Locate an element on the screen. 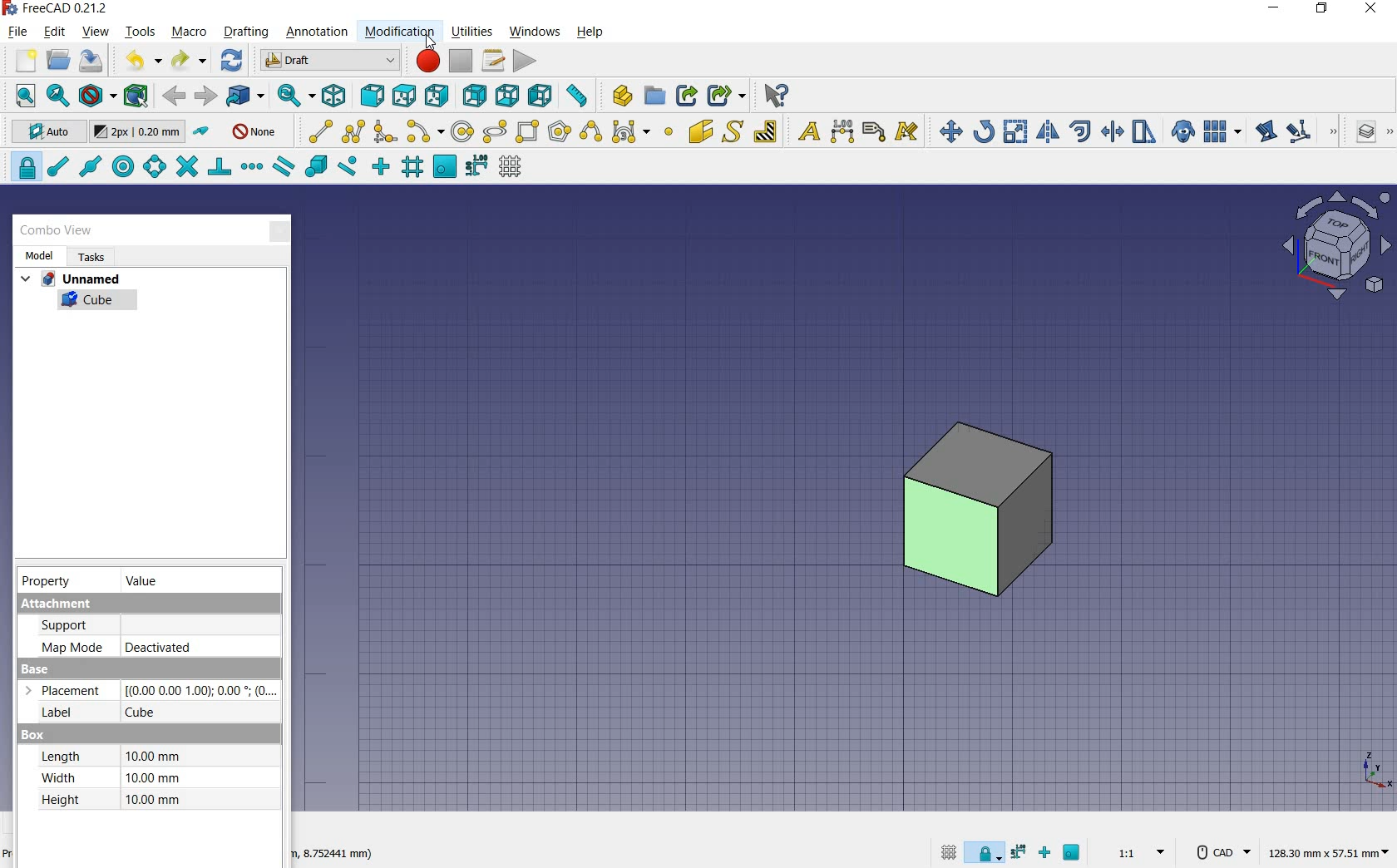 This screenshot has width=1397, height=868. draft modification tools is located at coordinates (1335, 133).